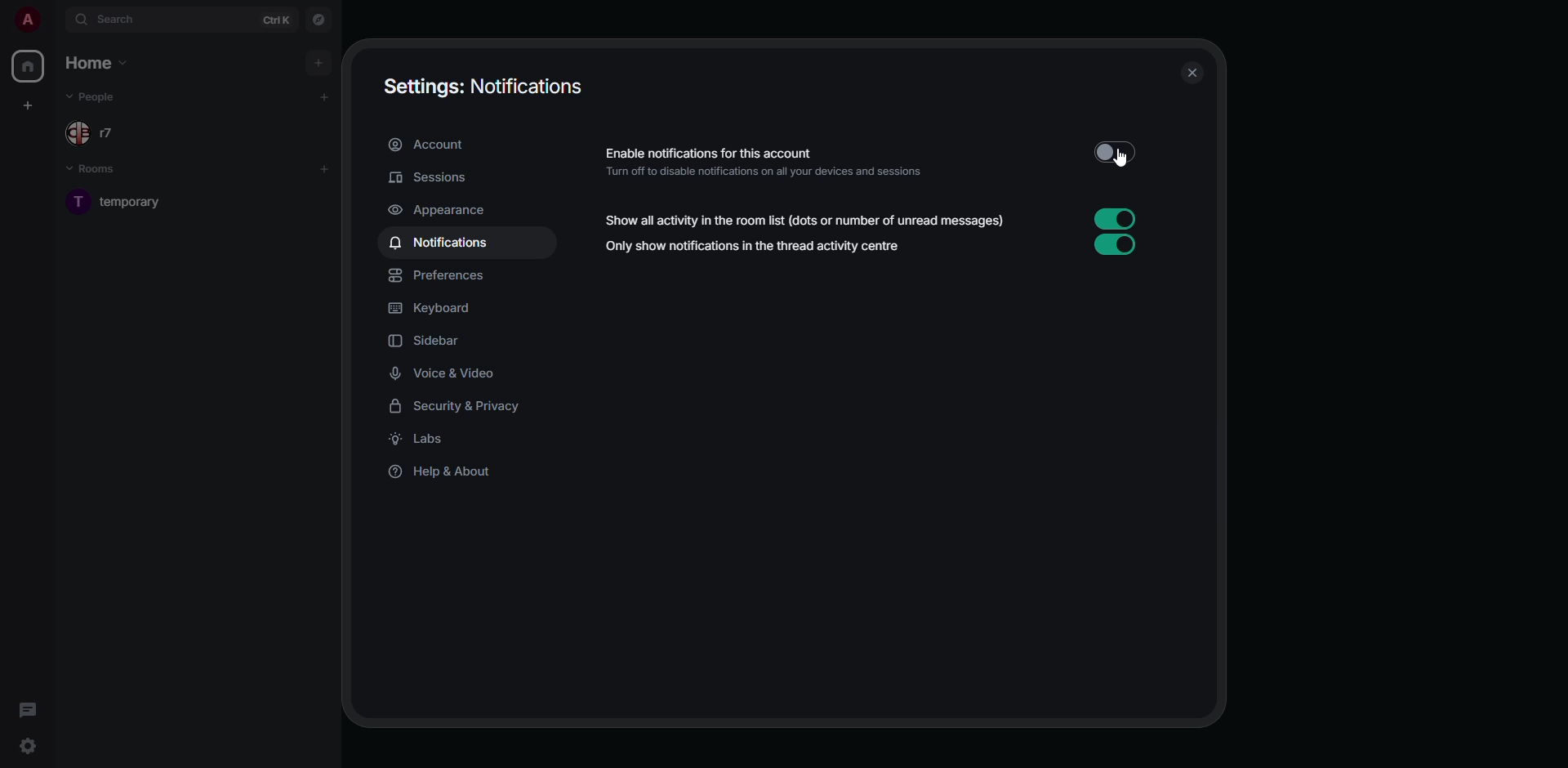 The height and width of the screenshot is (768, 1568). What do you see at coordinates (100, 64) in the screenshot?
I see `home` at bounding box center [100, 64].